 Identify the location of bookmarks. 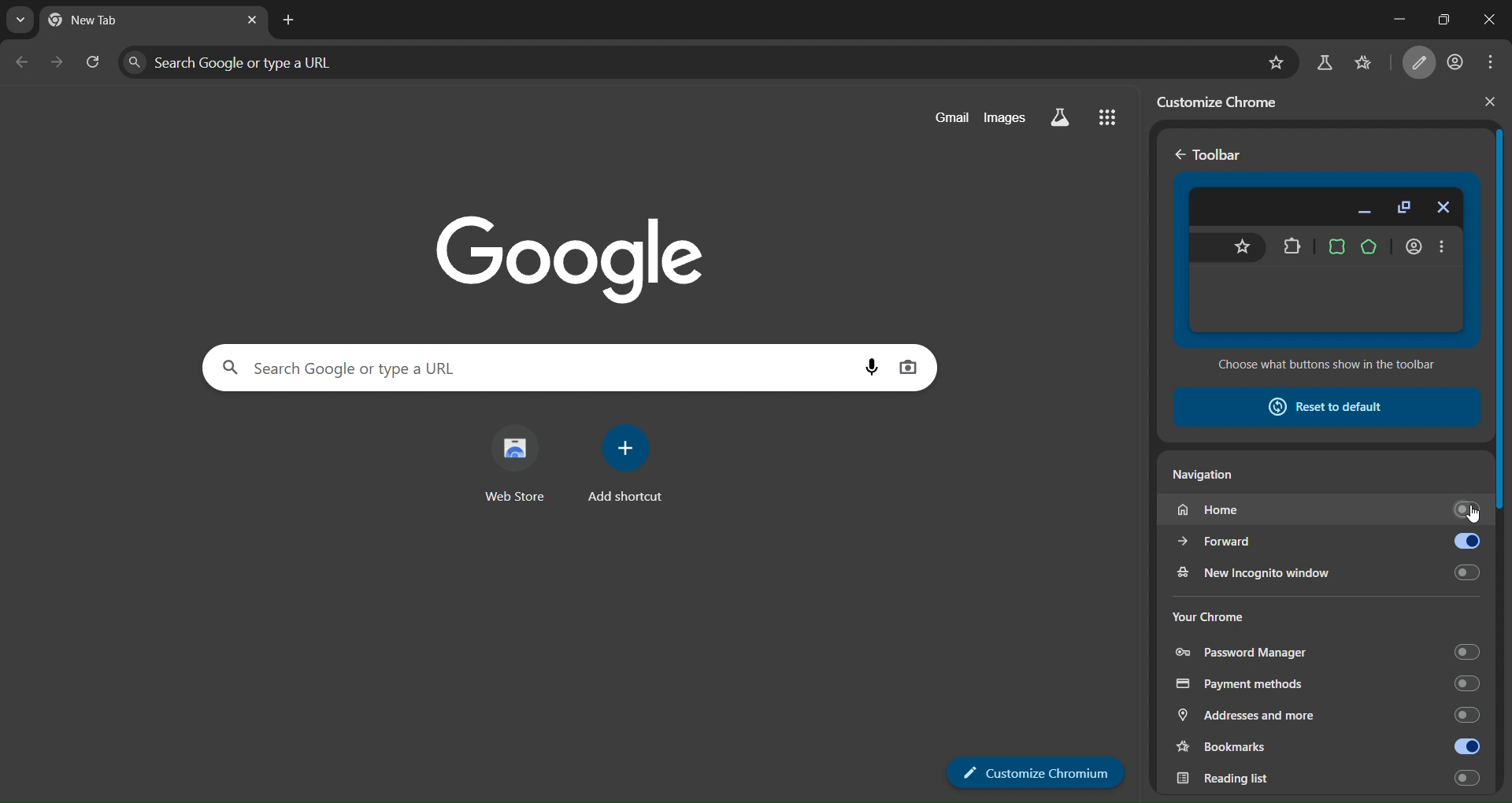
(1257, 749).